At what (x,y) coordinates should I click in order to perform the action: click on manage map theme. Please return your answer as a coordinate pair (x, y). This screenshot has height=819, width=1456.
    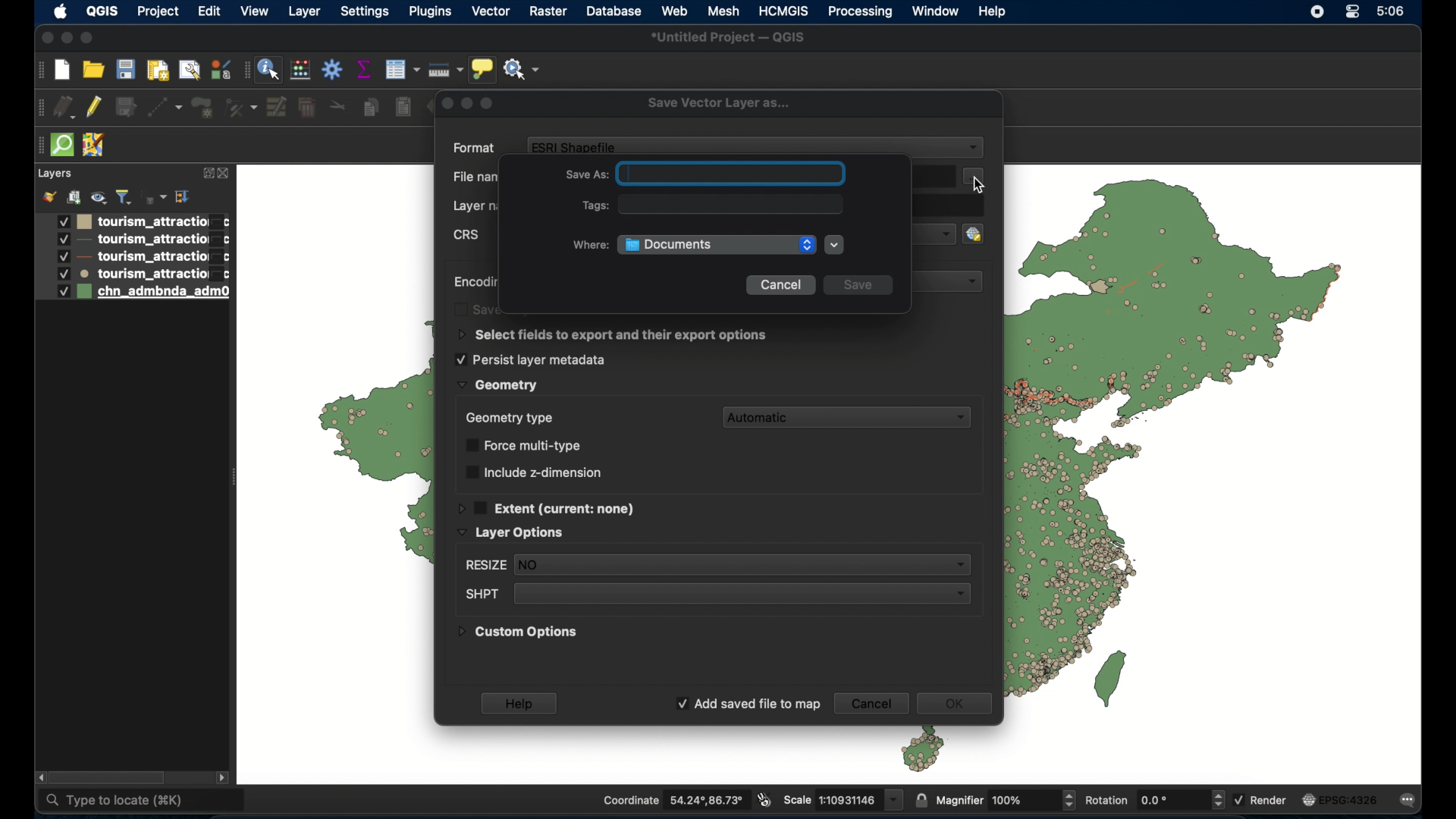
    Looking at the image, I should click on (98, 197).